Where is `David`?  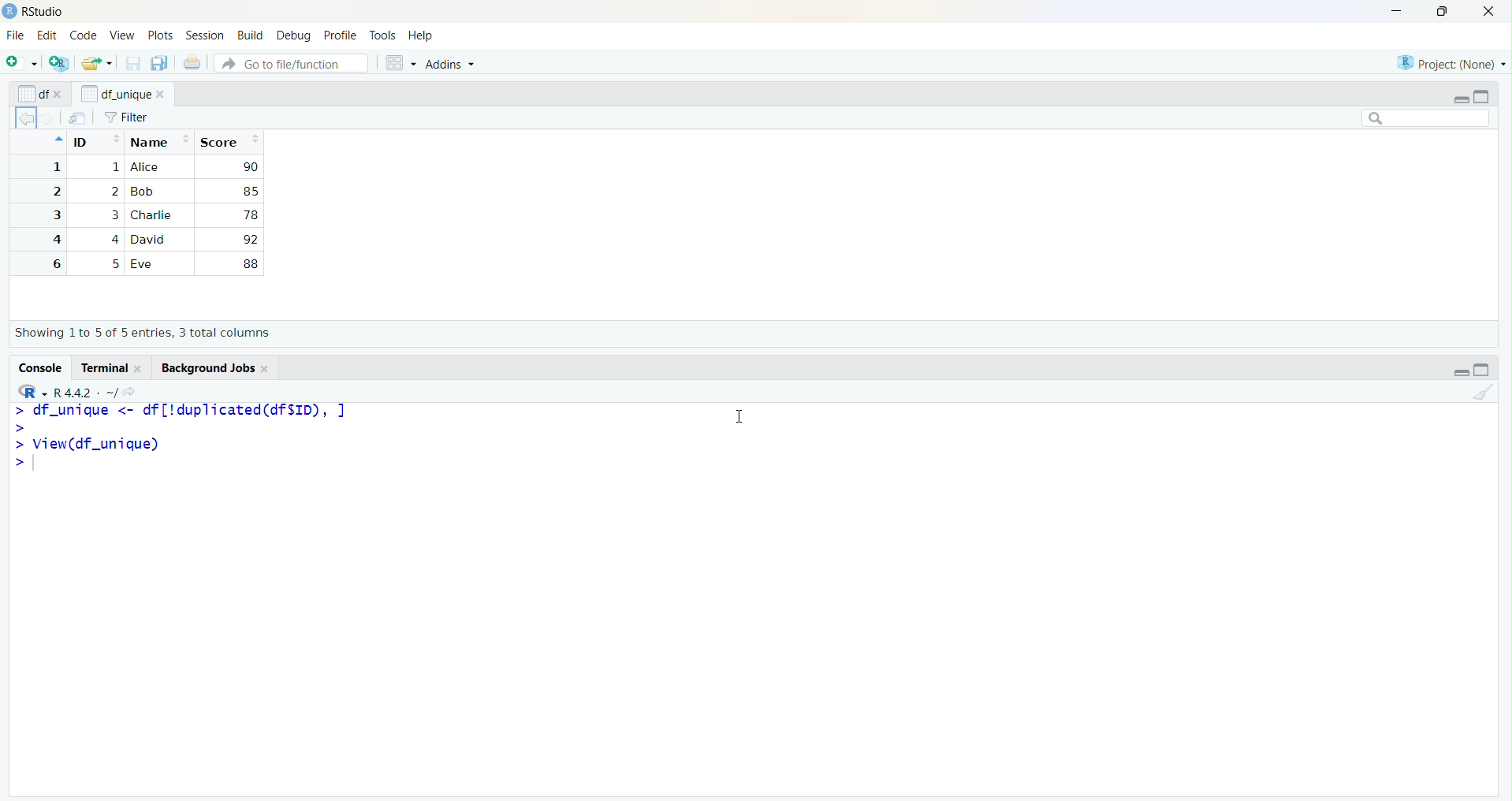
David is located at coordinates (150, 238).